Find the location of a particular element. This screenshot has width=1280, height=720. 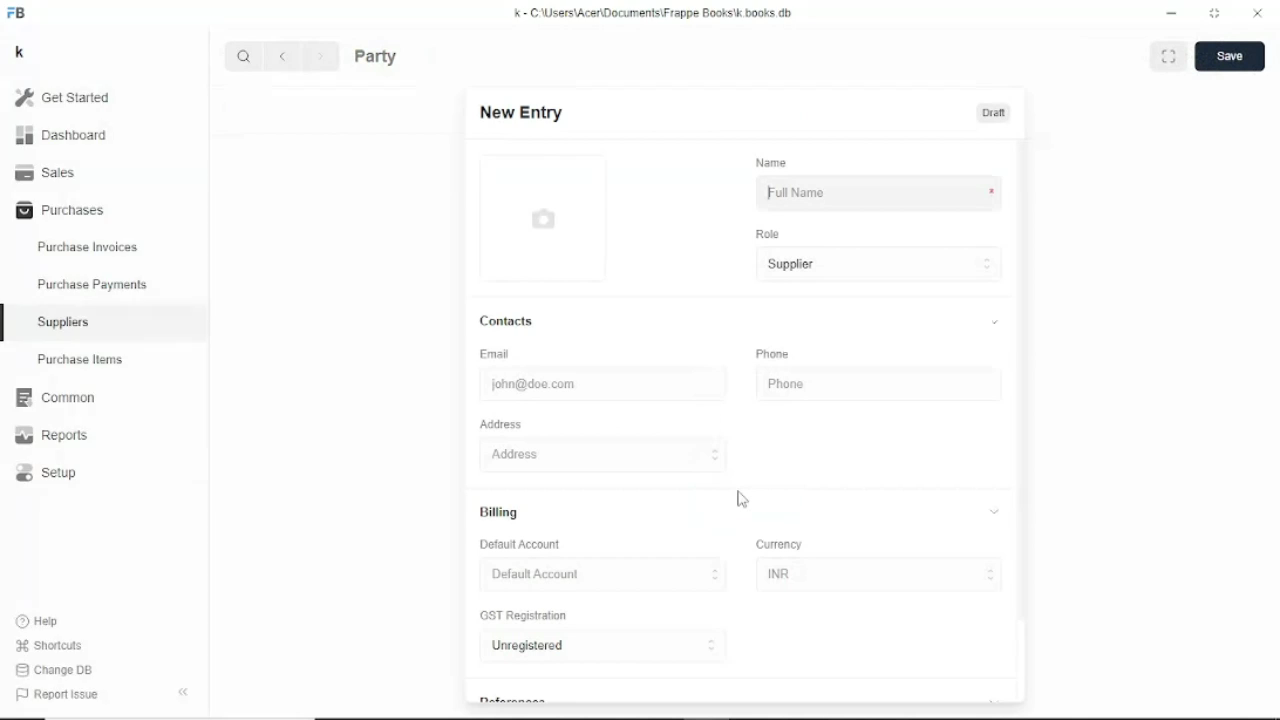

Change DB is located at coordinates (55, 671).